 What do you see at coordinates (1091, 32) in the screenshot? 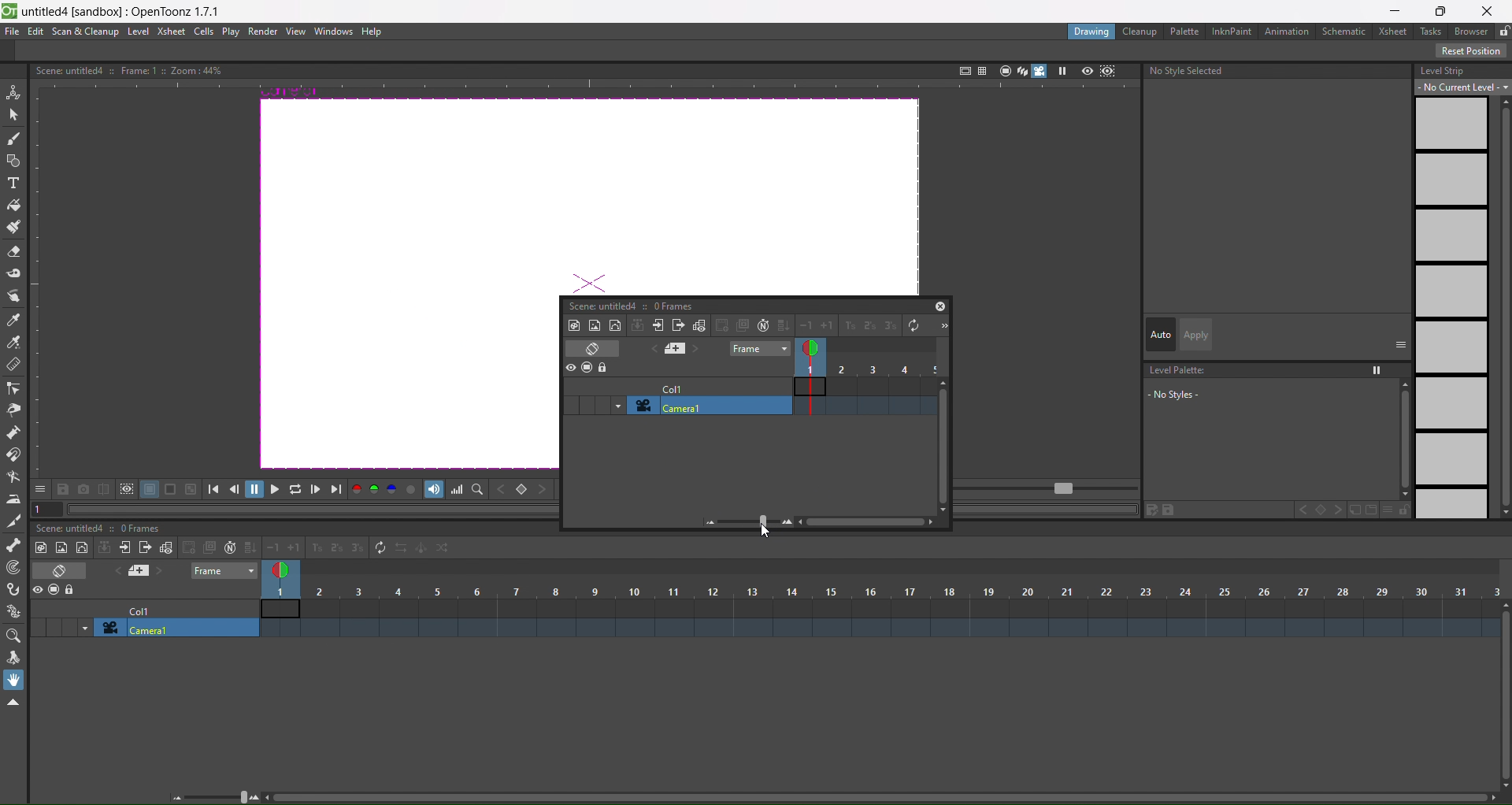
I see `drawing` at bounding box center [1091, 32].